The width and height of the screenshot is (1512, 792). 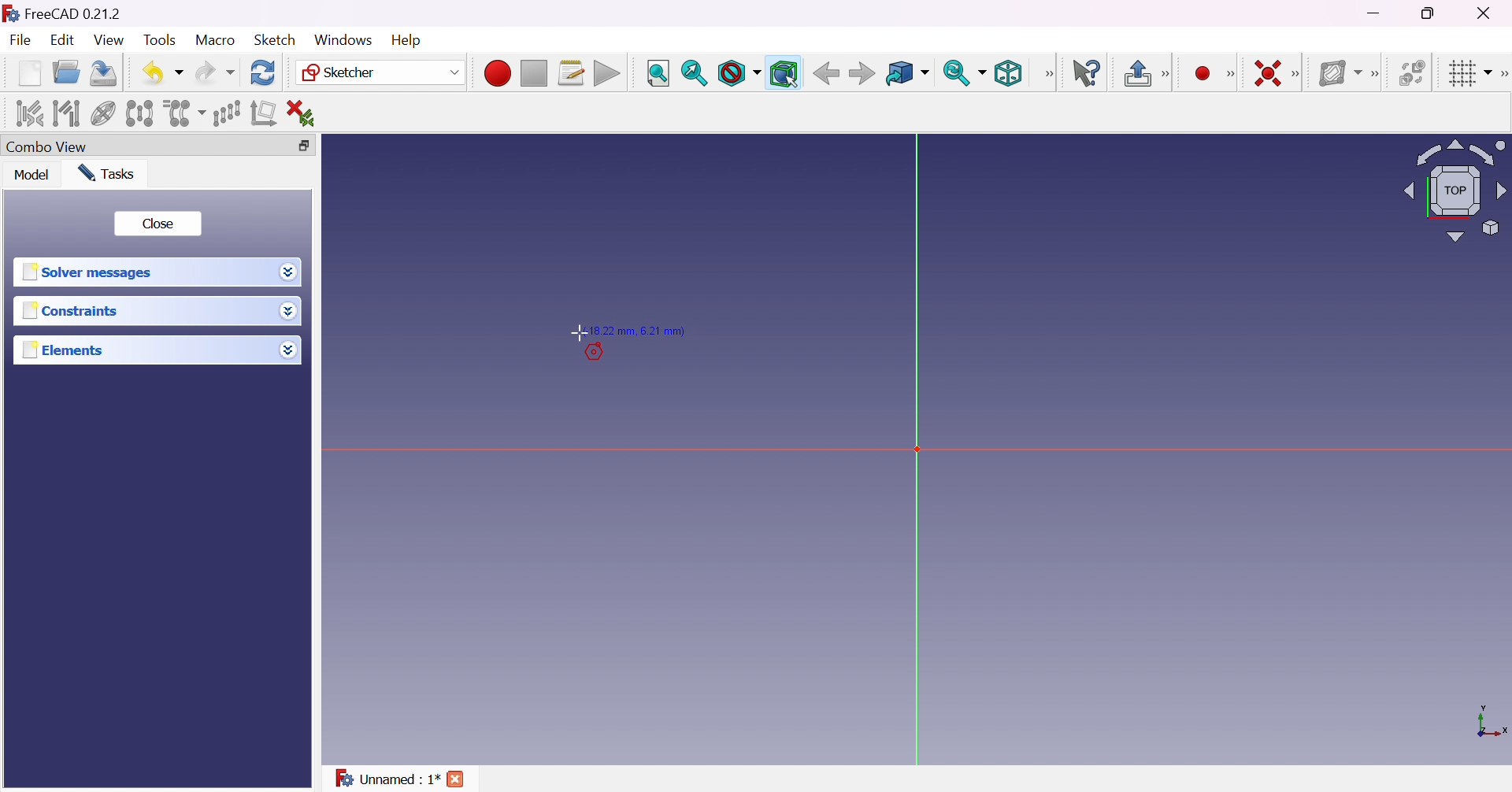 What do you see at coordinates (863, 72) in the screenshot?
I see `Forward` at bounding box center [863, 72].